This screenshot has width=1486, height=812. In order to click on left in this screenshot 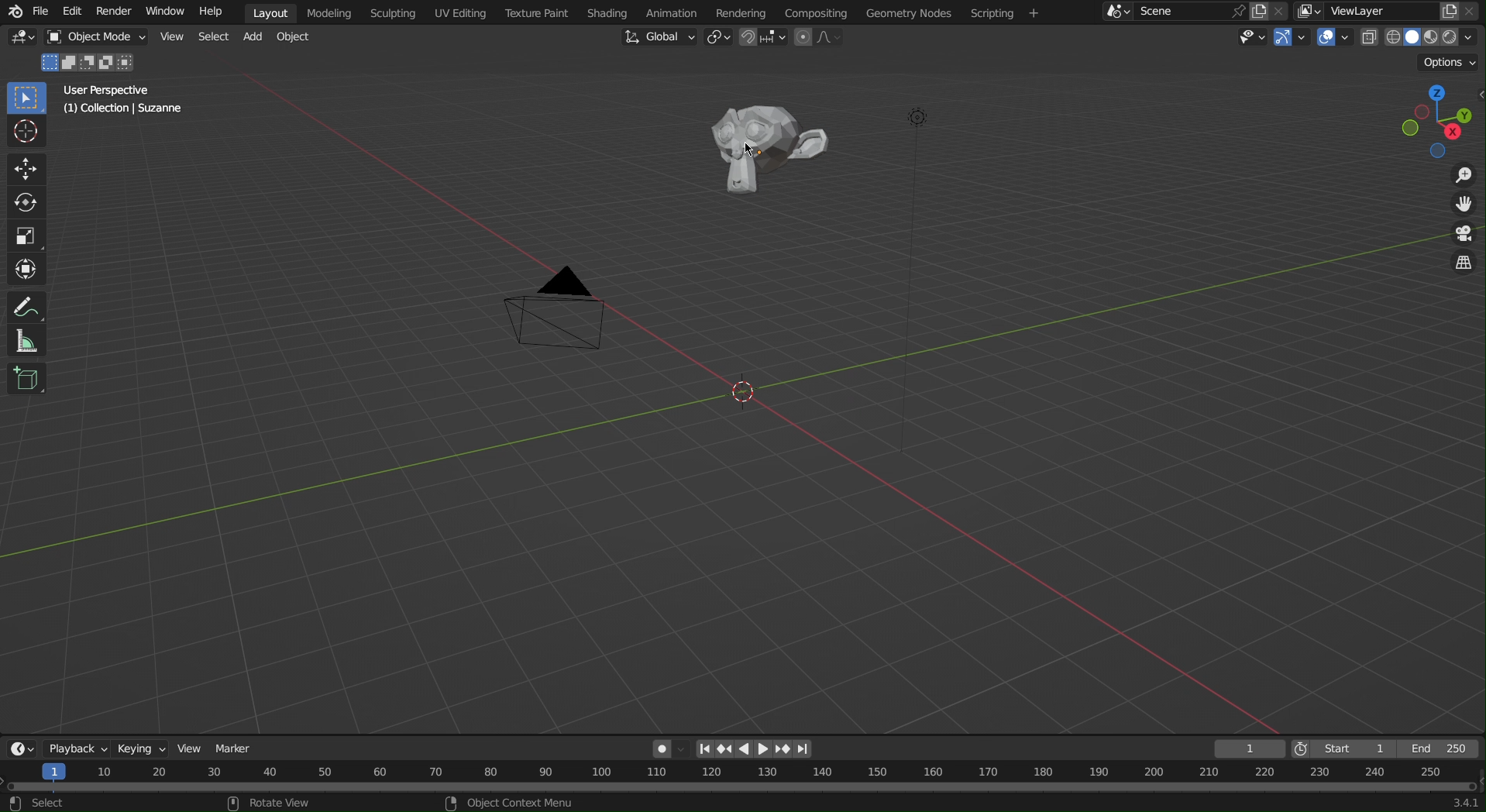, I will do `click(749, 748)`.